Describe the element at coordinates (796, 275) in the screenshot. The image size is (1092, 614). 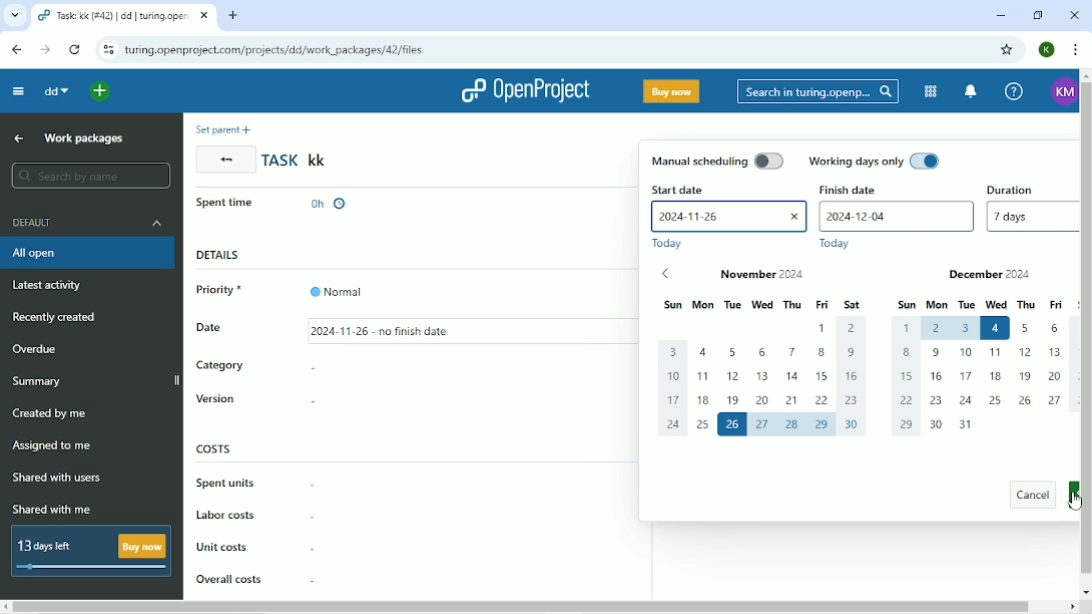
I see `November 2024` at that location.